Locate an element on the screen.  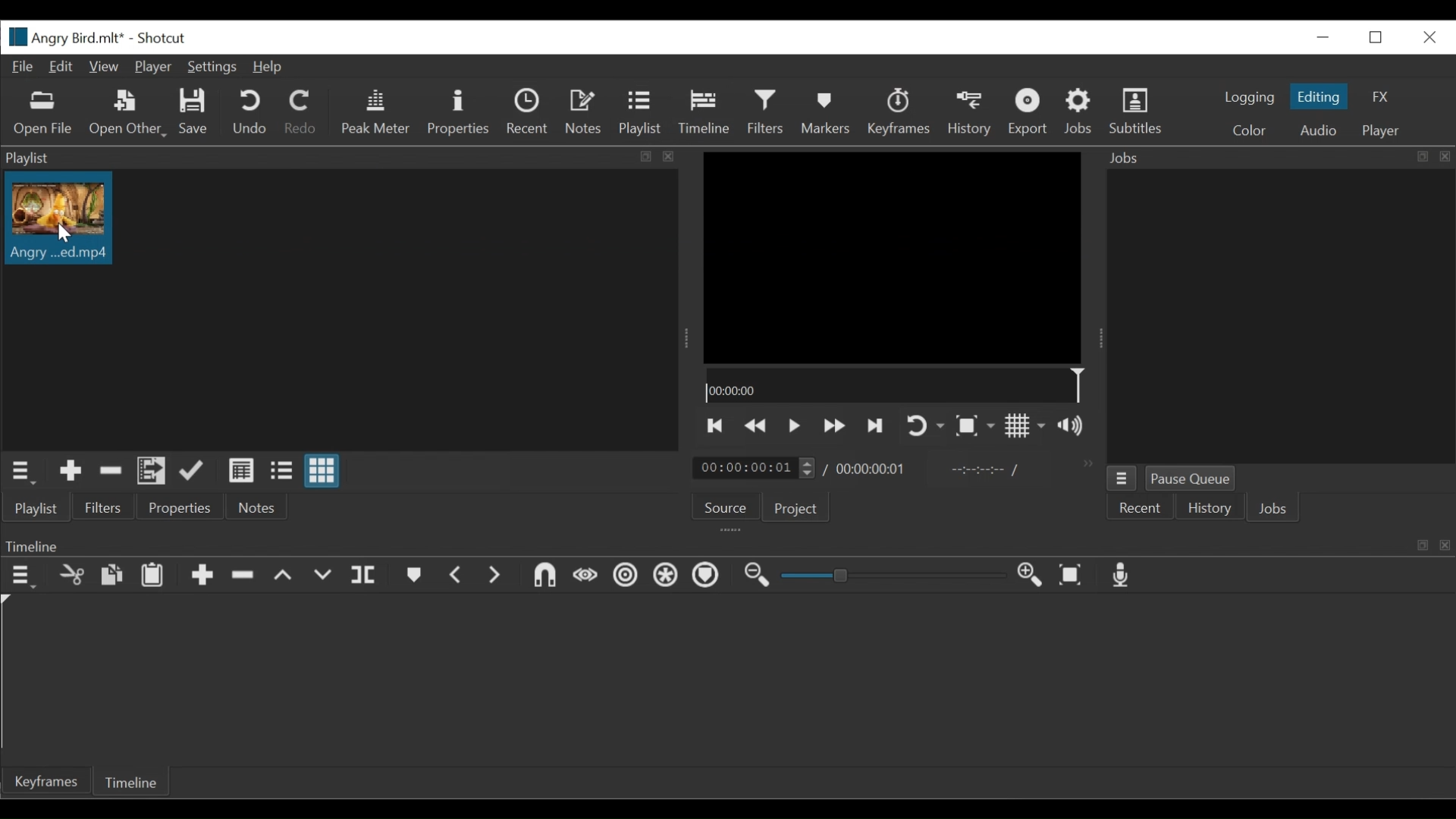
Record audio is located at coordinates (1120, 577).